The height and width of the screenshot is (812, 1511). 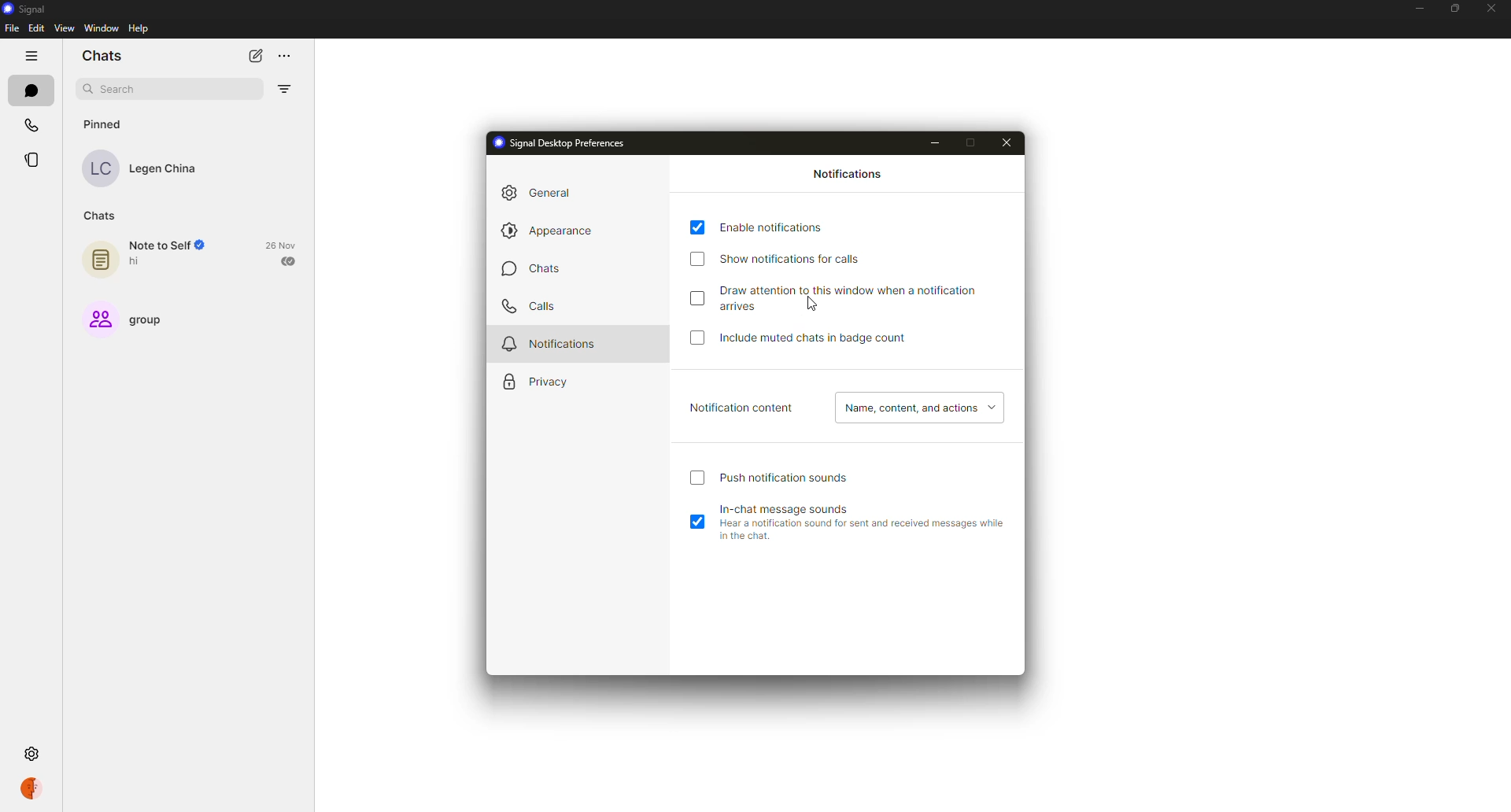 What do you see at coordinates (785, 475) in the screenshot?
I see `push notification sound` at bounding box center [785, 475].